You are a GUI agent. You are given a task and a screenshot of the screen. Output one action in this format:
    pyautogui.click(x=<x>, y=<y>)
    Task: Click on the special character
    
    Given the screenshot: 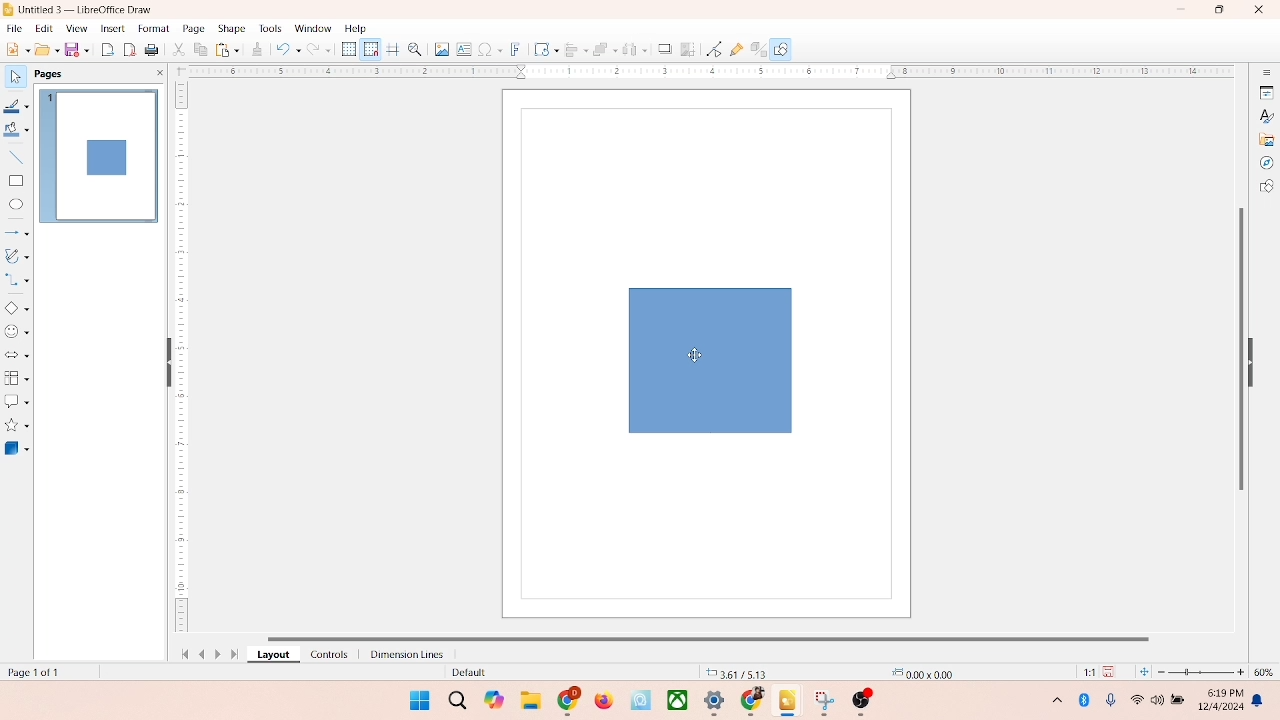 What is the action you would take?
    pyautogui.click(x=490, y=49)
    